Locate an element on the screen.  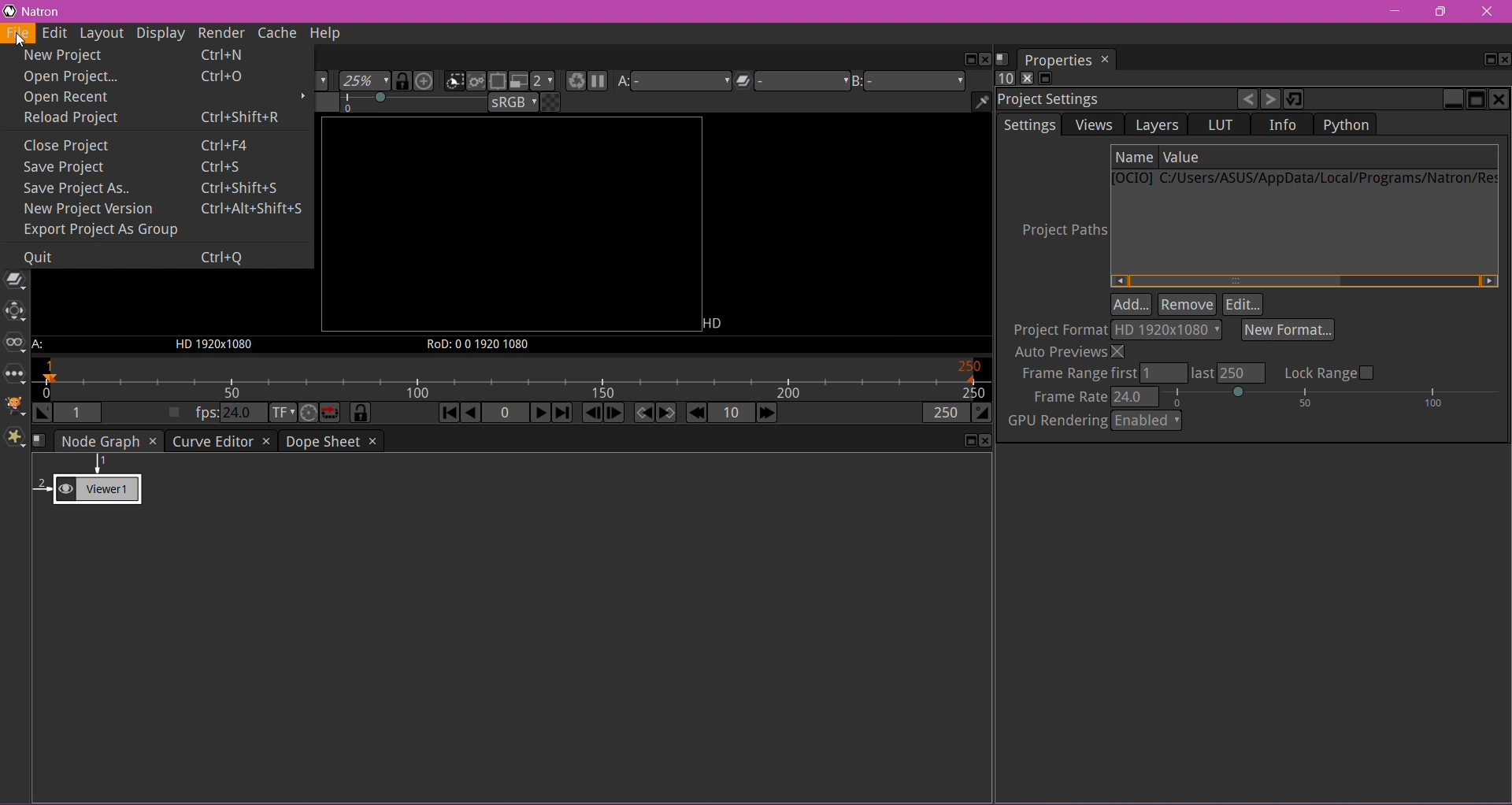
Redo the last change undone to this operator is located at coordinates (1271, 99).